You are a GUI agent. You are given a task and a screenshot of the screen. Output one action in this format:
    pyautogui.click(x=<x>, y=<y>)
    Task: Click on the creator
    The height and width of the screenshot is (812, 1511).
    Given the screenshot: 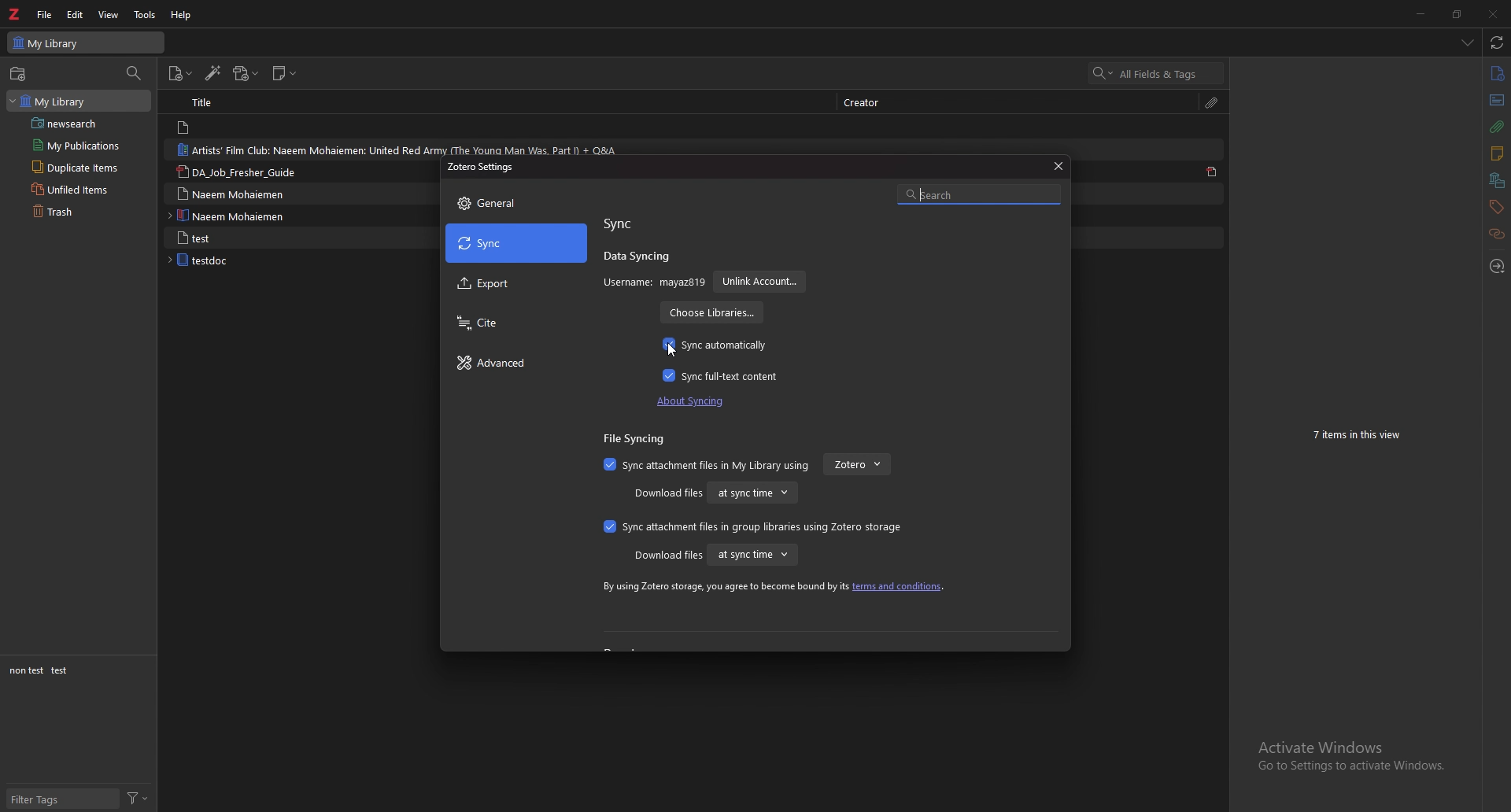 What is the action you would take?
    pyautogui.click(x=871, y=101)
    